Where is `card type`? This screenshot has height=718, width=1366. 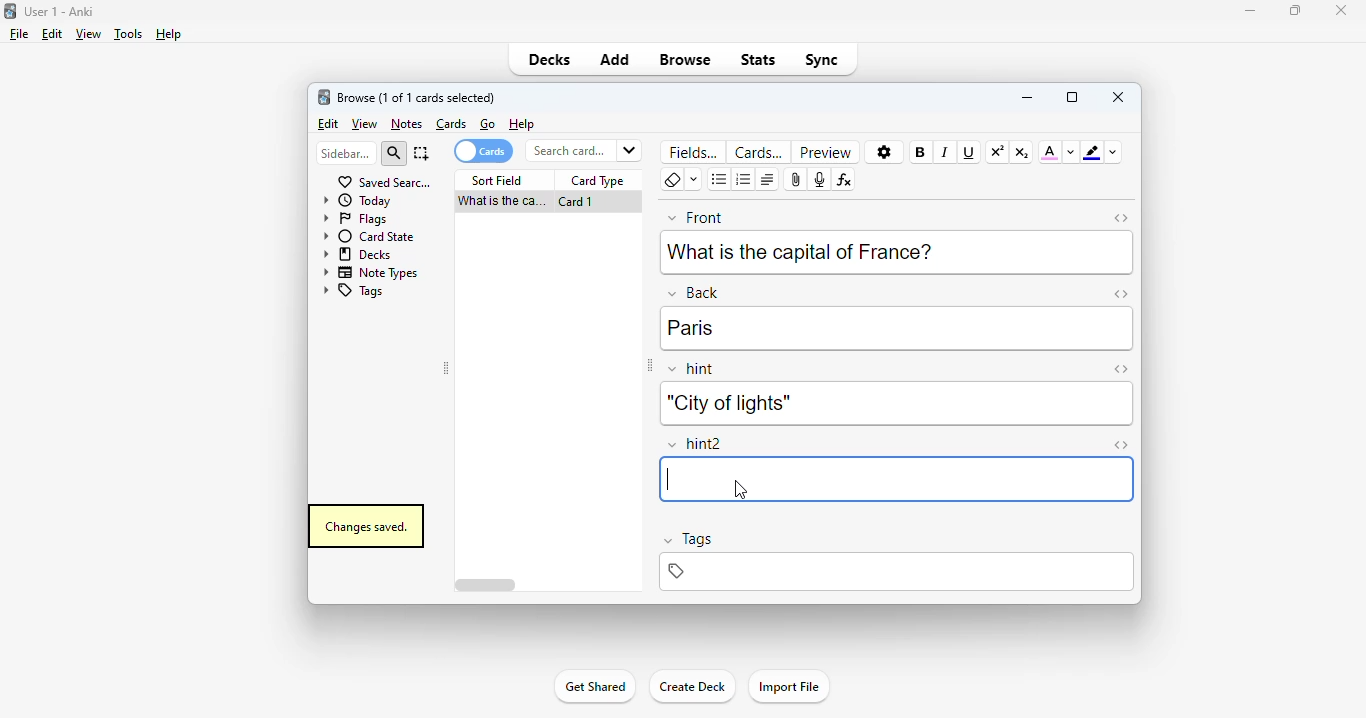 card type is located at coordinates (598, 181).